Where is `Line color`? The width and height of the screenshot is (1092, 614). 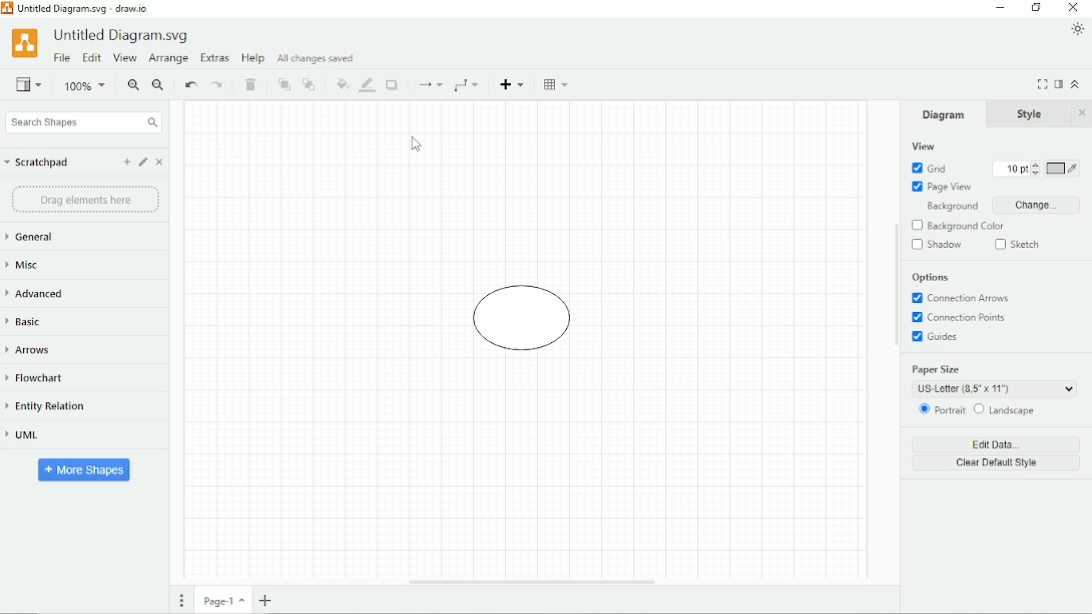
Line color is located at coordinates (367, 85).